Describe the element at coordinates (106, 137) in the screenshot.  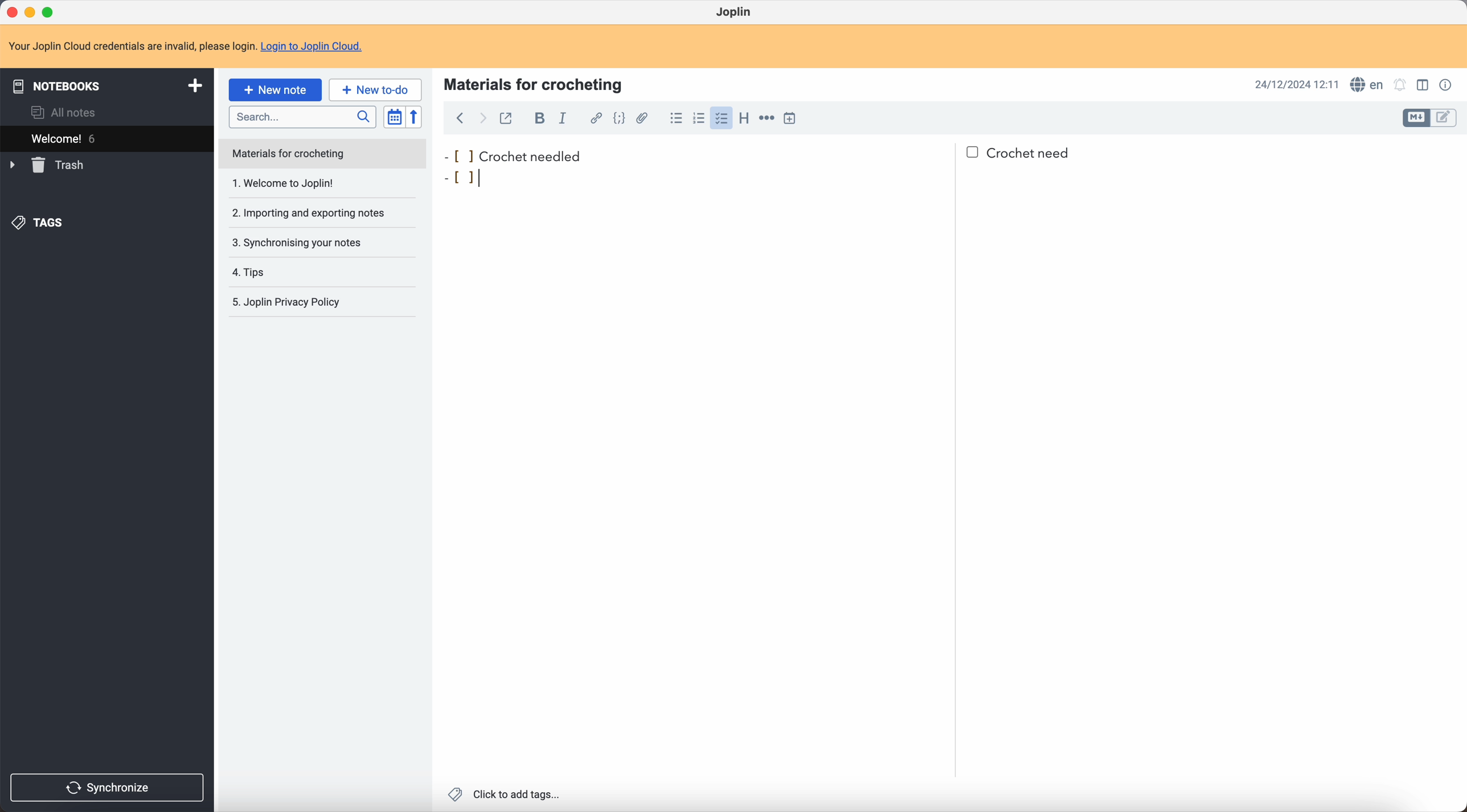
I see `welcome` at that location.